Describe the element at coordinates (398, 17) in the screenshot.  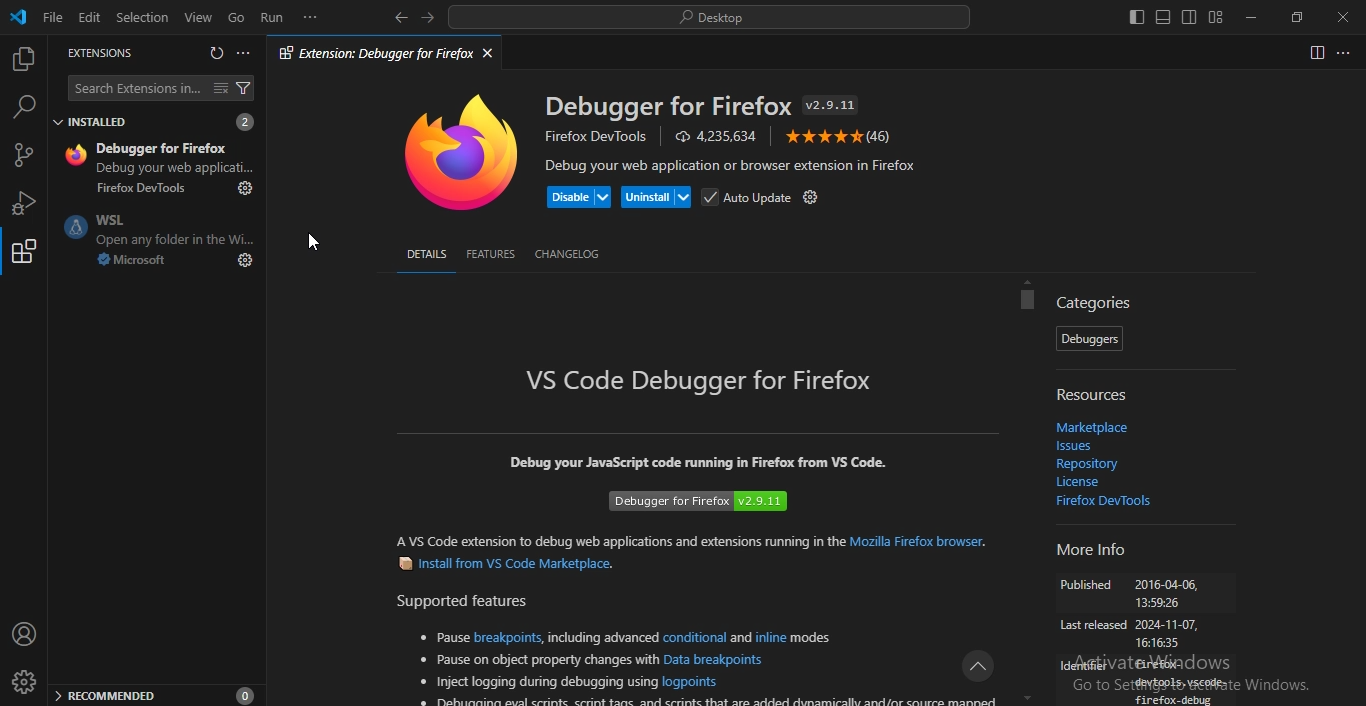
I see `go back` at that location.